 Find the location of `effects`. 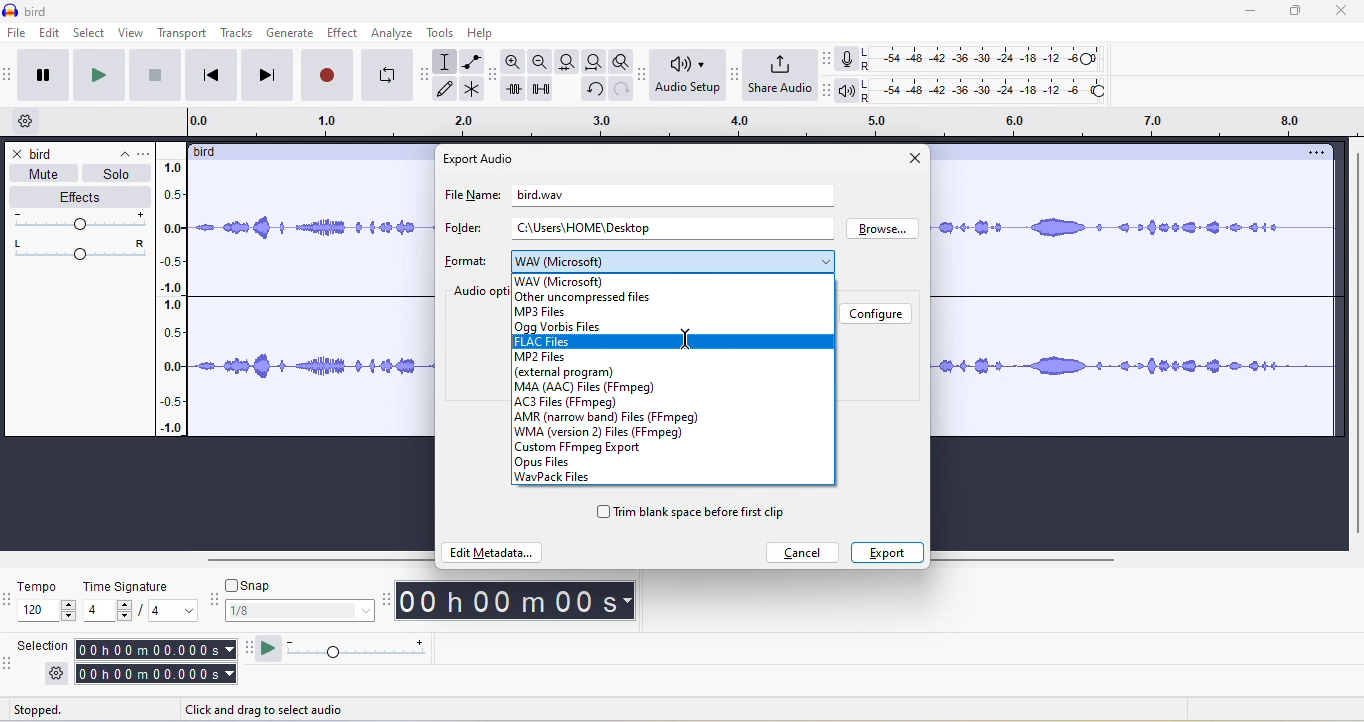

effects is located at coordinates (79, 198).